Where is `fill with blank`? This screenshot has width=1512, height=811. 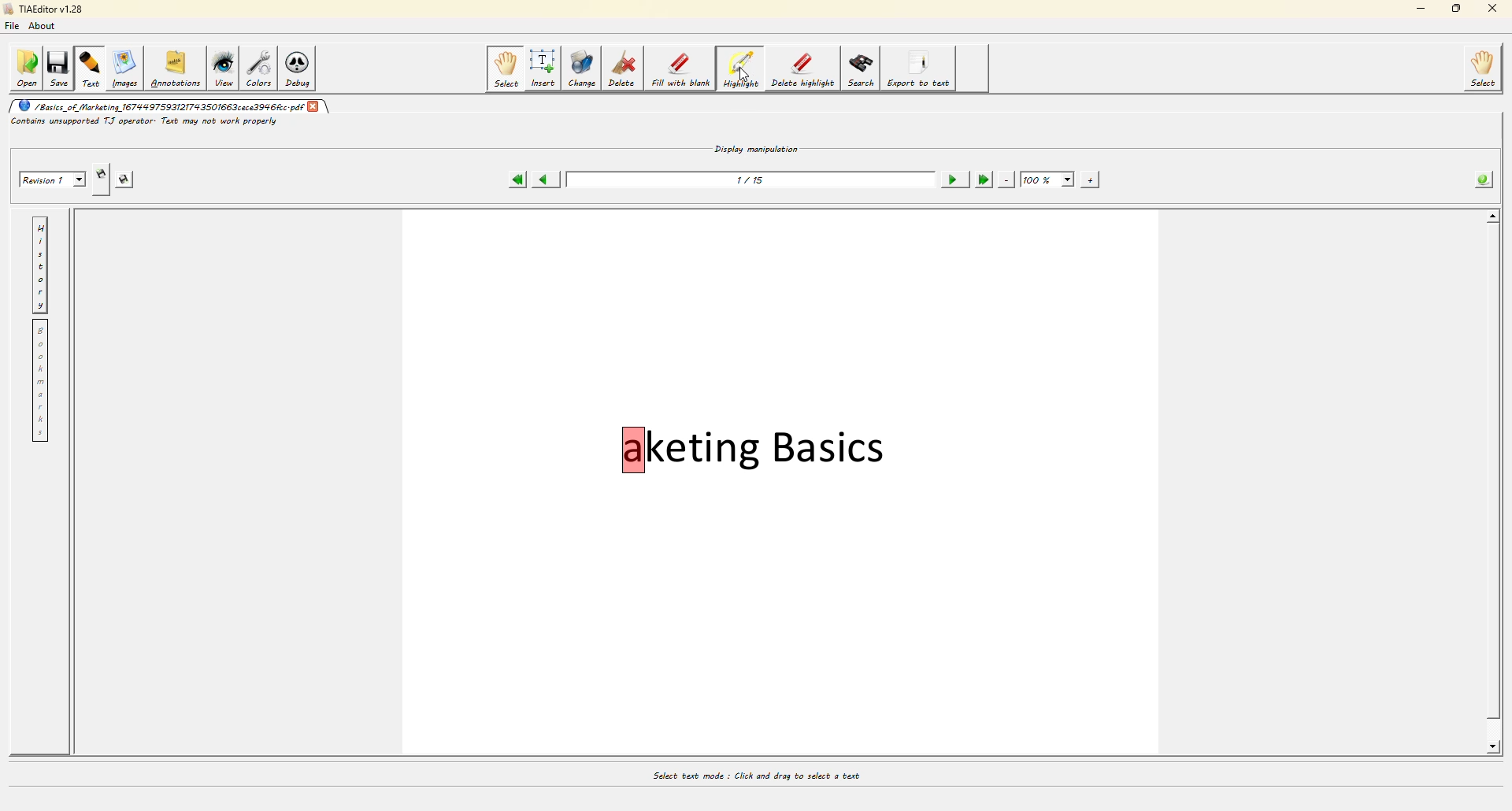 fill with blank is located at coordinates (679, 69).